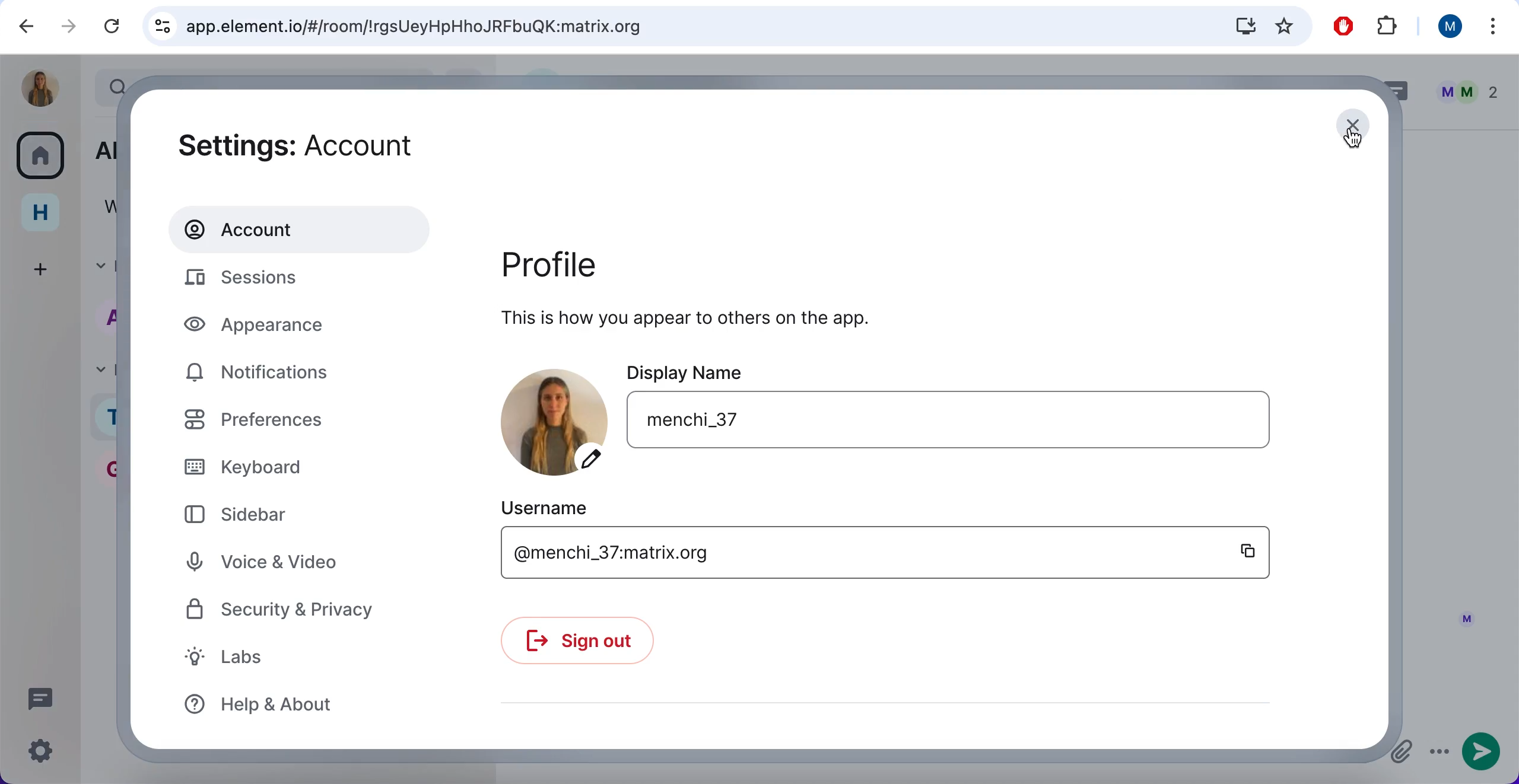 The width and height of the screenshot is (1519, 784). I want to click on , so click(1472, 93).